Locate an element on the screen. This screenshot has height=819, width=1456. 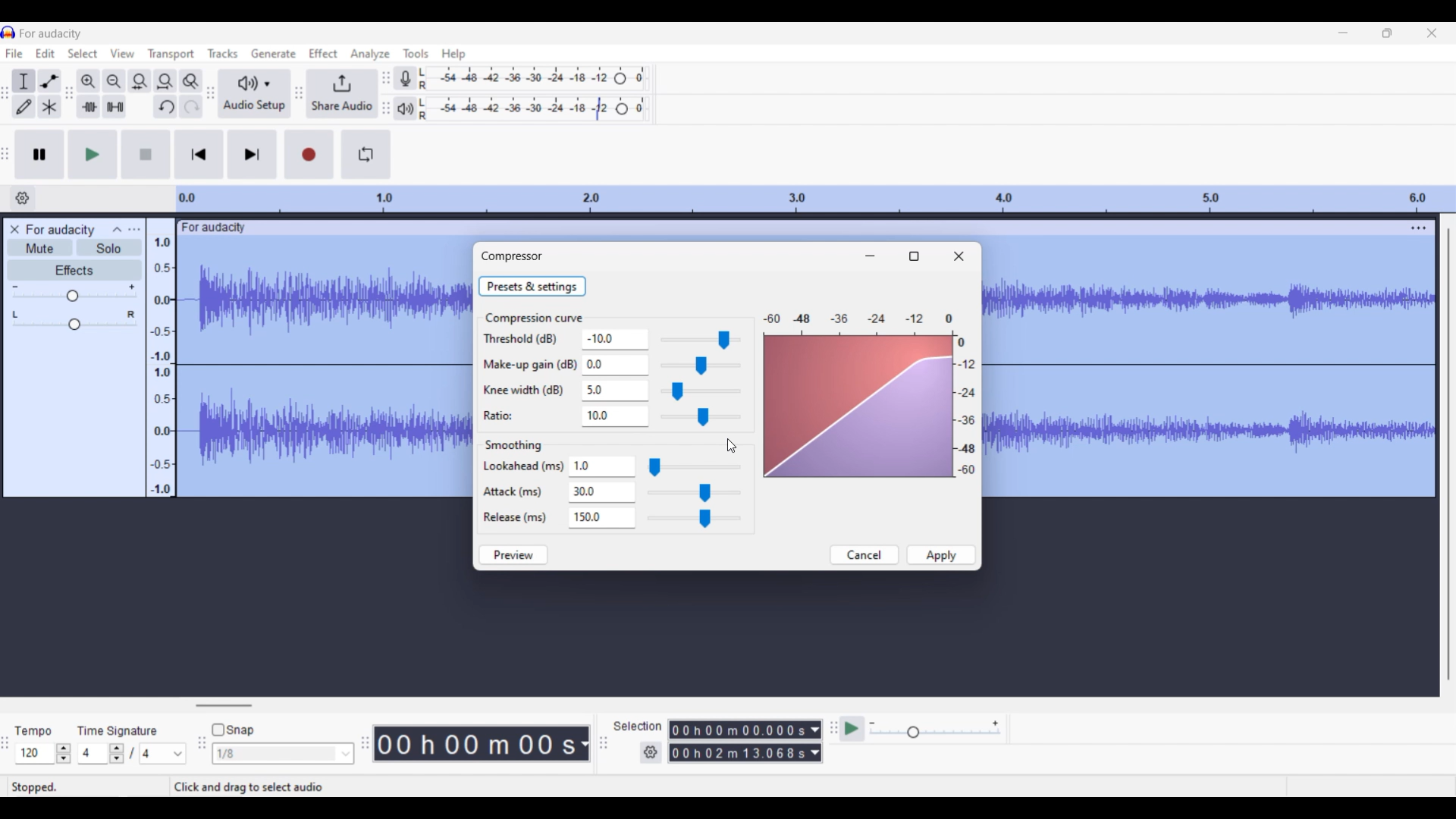
Preview is located at coordinates (513, 555).